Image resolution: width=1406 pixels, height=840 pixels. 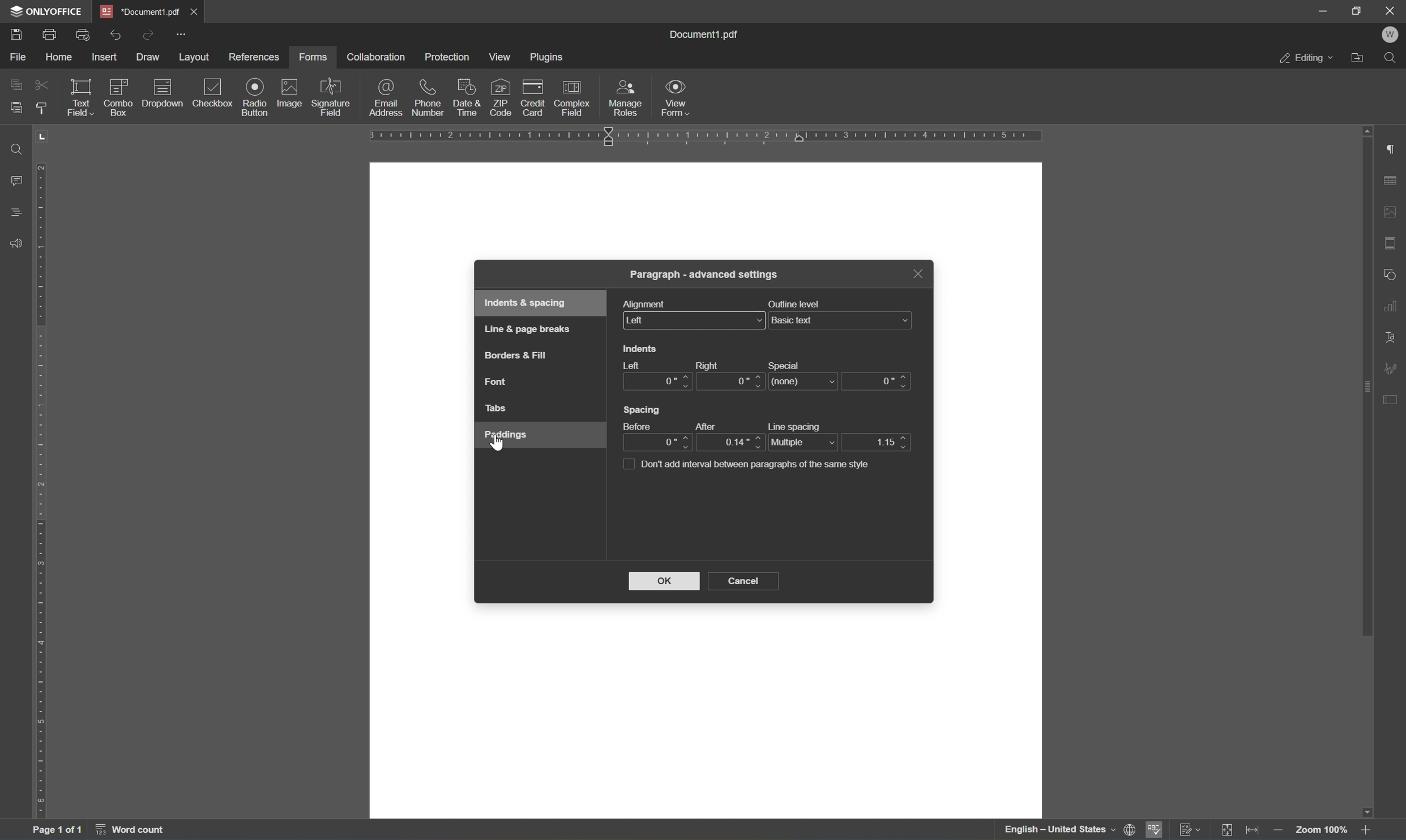 I want to click on Open file location, so click(x=1360, y=59).